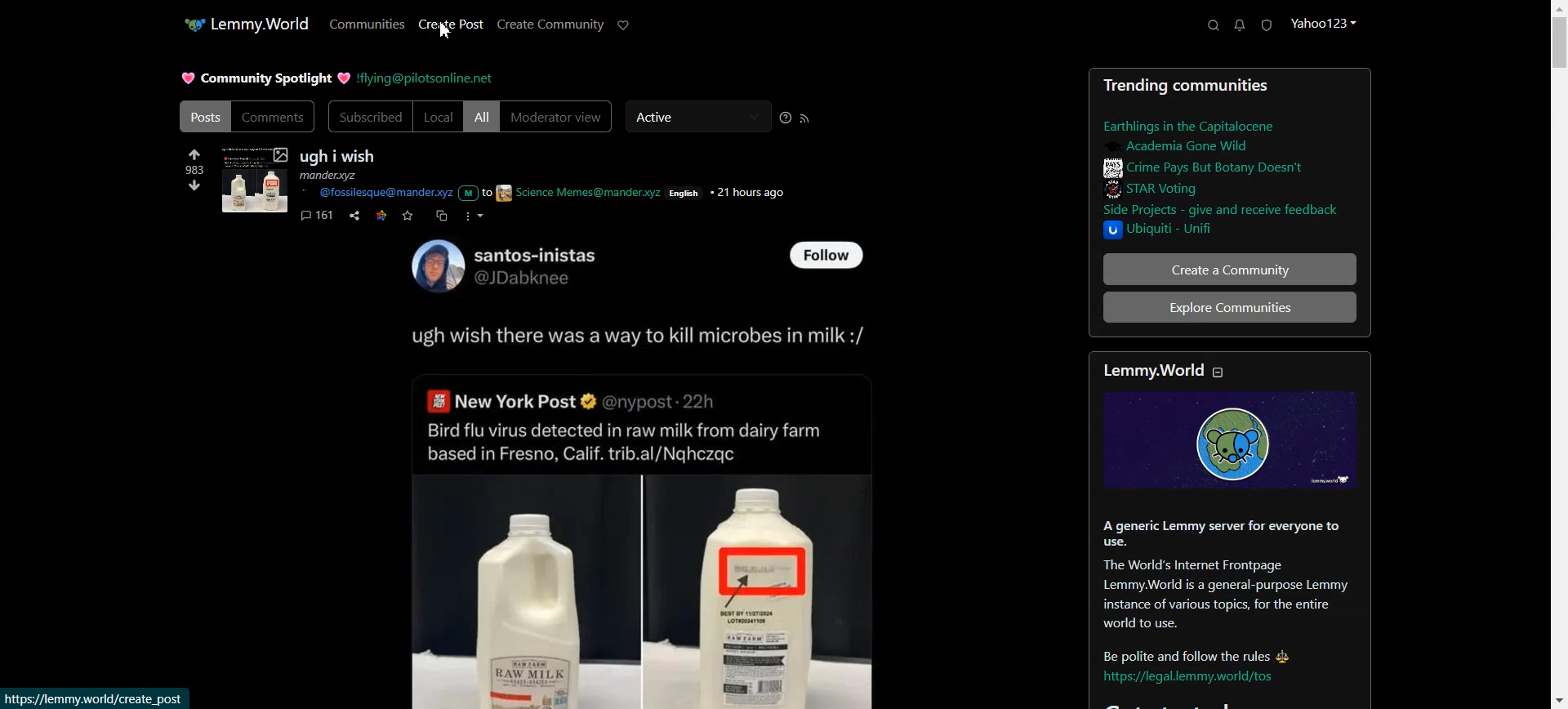 Image resolution: width=1568 pixels, height=709 pixels. Describe the element at coordinates (635, 337) in the screenshot. I see `Text` at that location.